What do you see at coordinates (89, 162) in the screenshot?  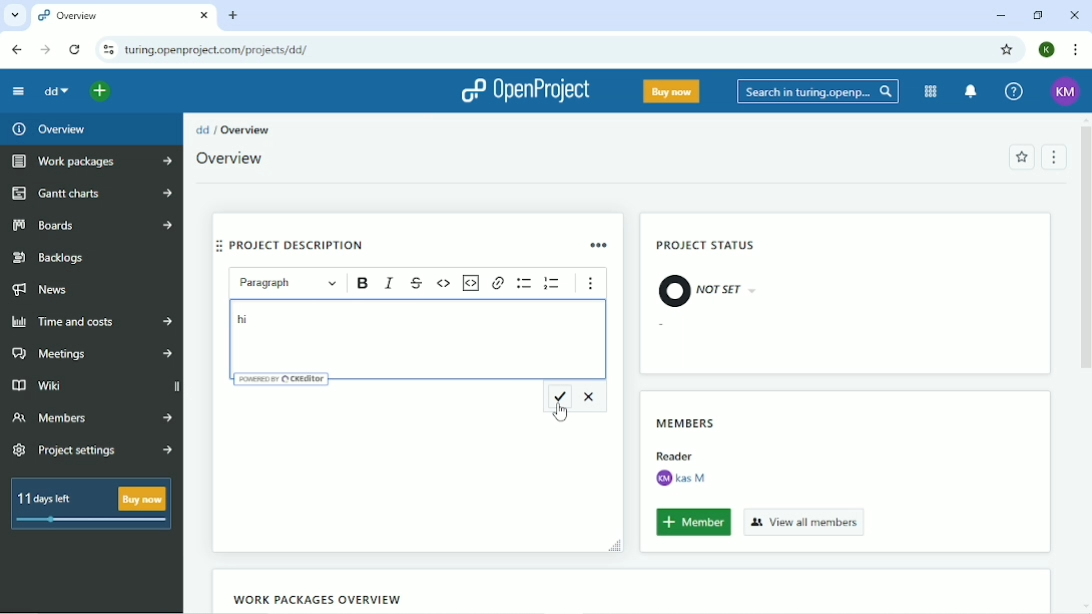 I see `Work packages` at bounding box center [89, 162].